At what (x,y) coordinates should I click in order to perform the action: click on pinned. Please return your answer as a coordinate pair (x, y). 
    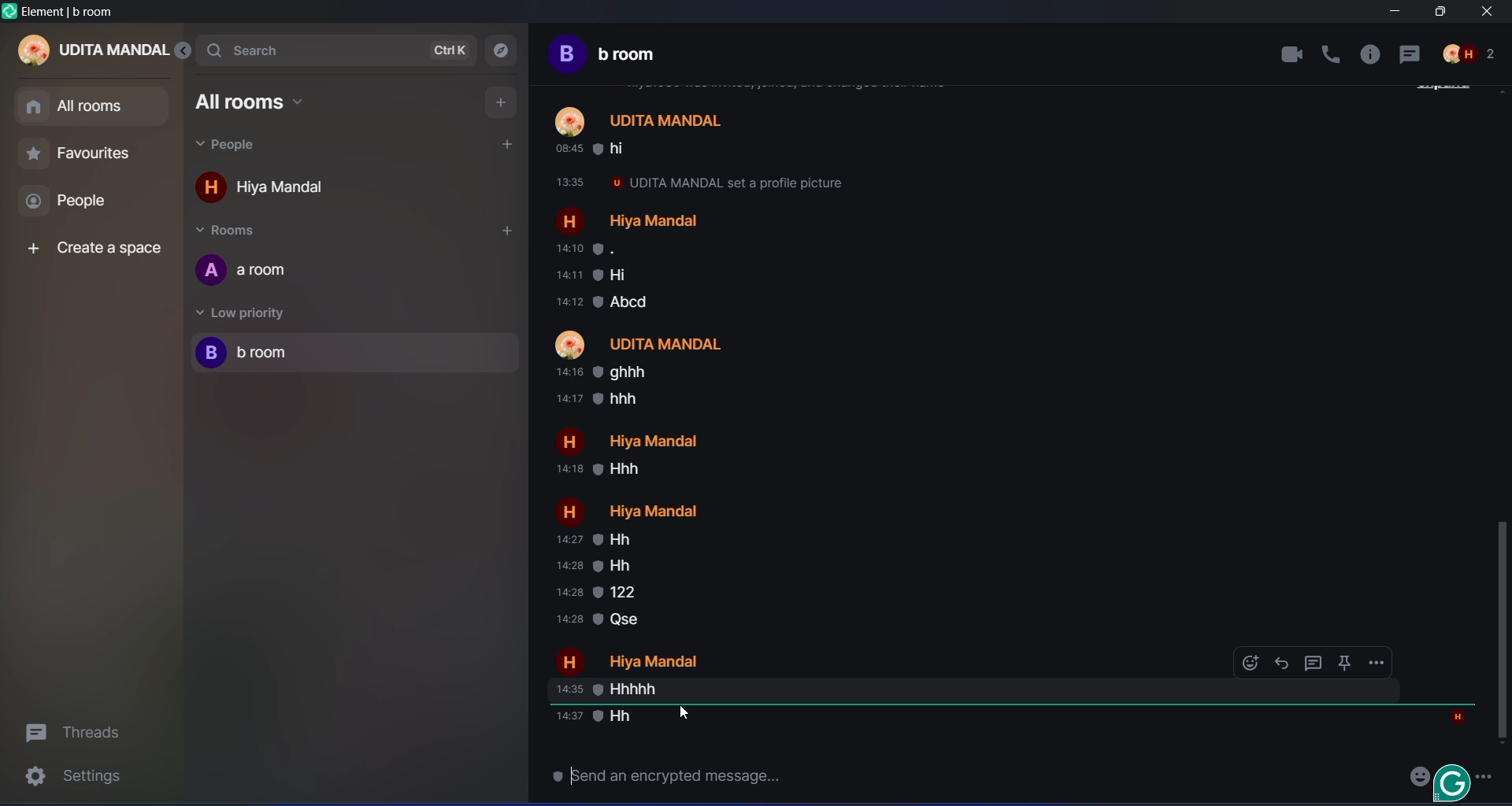
    Looking at the image, I should click on (1346, 663).